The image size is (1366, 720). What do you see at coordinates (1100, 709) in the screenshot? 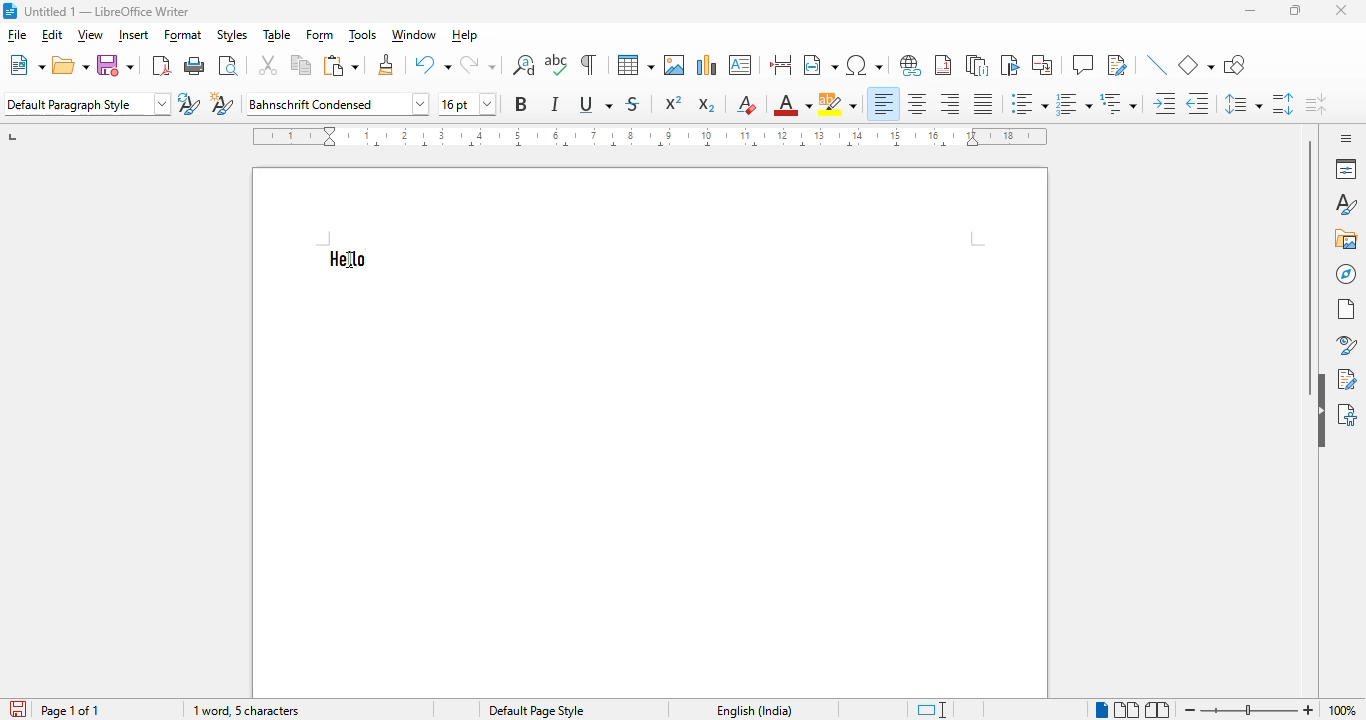
I see `single-page view` at bounding box center [1100, 709].